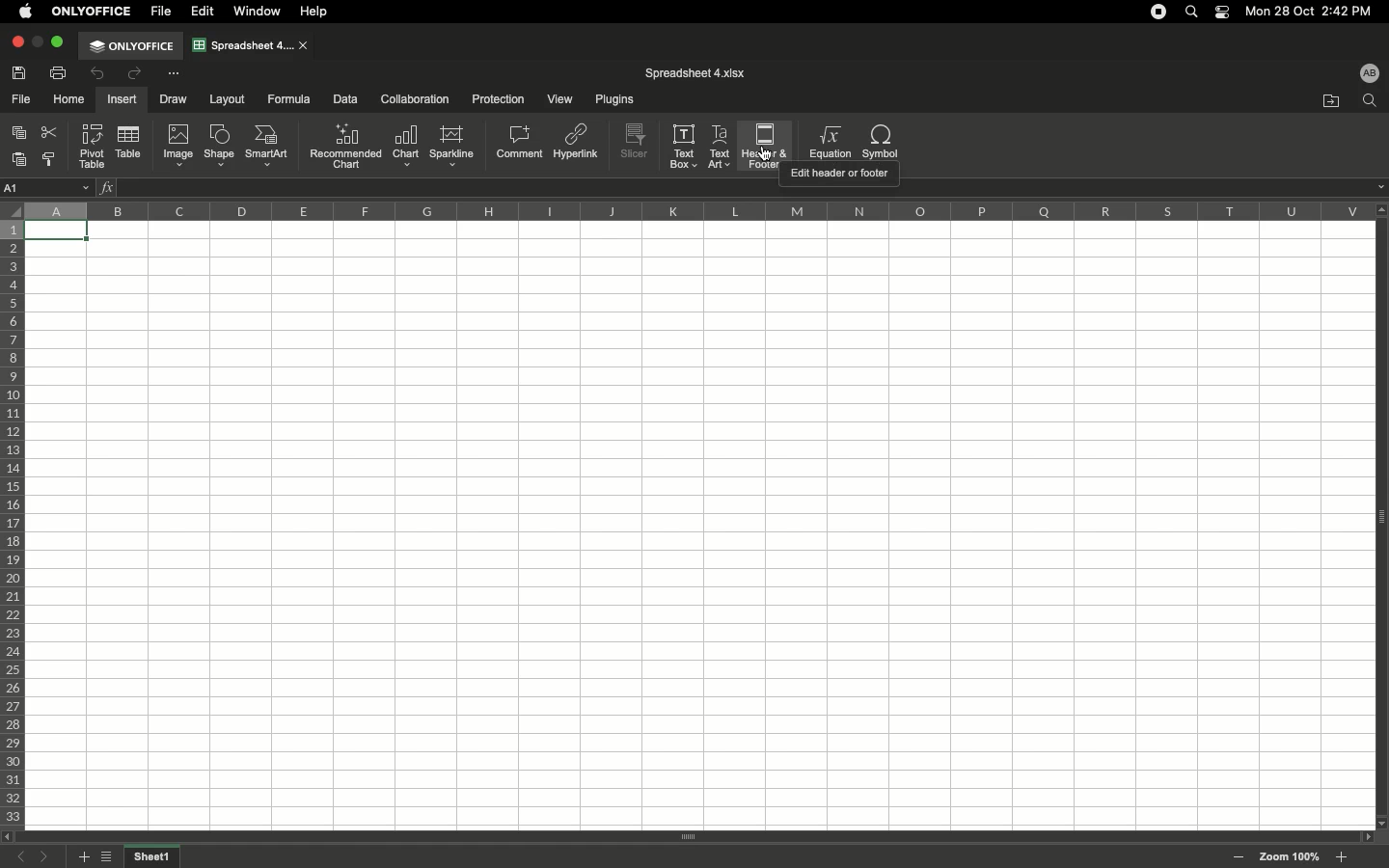 This screenshot has height=868, width=1389. Describe the element at coordinates (48, 186) in the screenshot. I see `Name manager` at that location.